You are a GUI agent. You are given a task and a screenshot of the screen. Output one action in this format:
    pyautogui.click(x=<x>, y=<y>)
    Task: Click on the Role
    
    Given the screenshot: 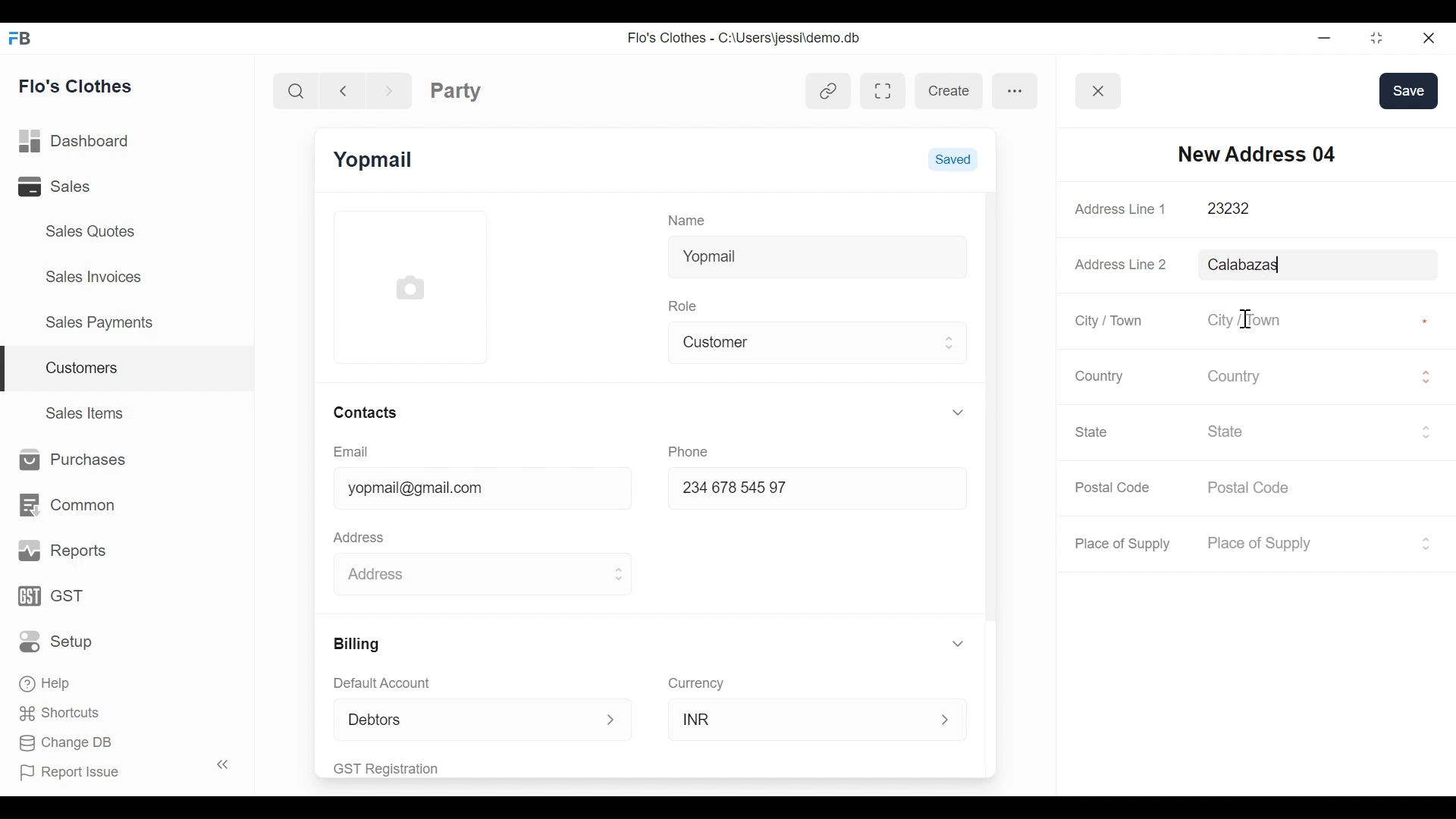 What is the action you would take?
    pyautogui.click(x=686, y=304)
    